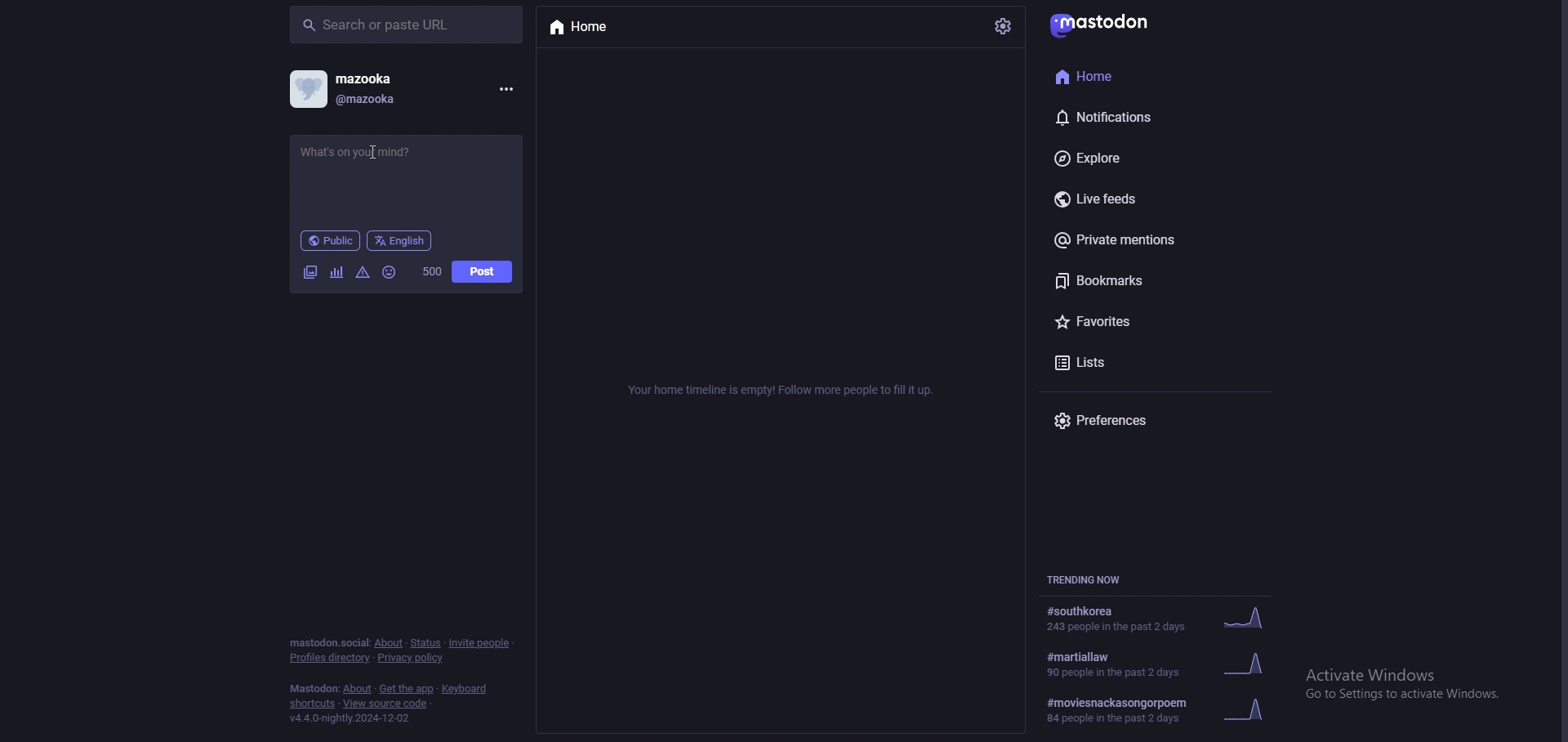  What do you see at coordinates (407, 690) in the screenshot?
I see `get the app` at bounding box center [407, 690].